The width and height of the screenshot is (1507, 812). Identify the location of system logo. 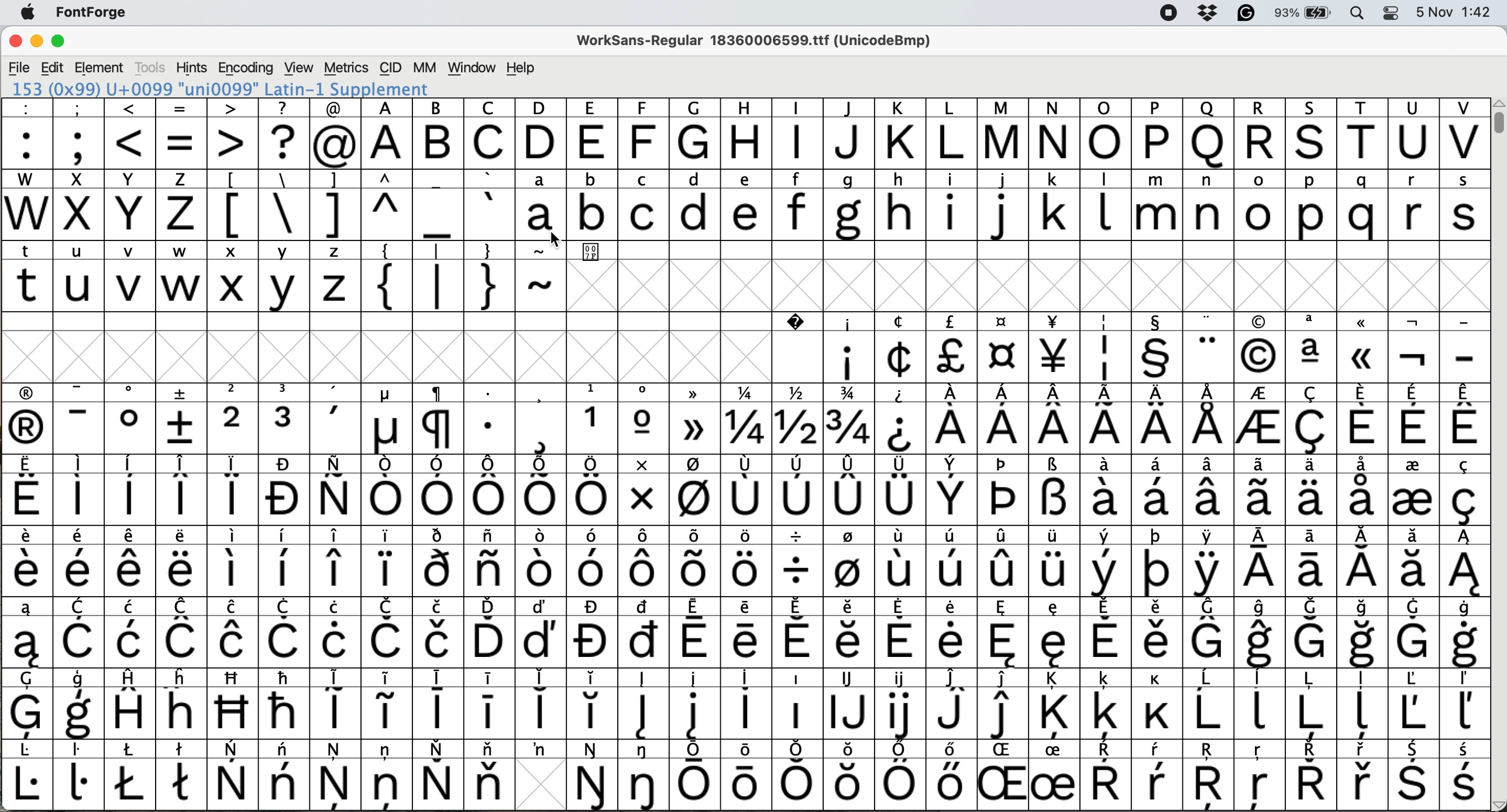
(27, 13).